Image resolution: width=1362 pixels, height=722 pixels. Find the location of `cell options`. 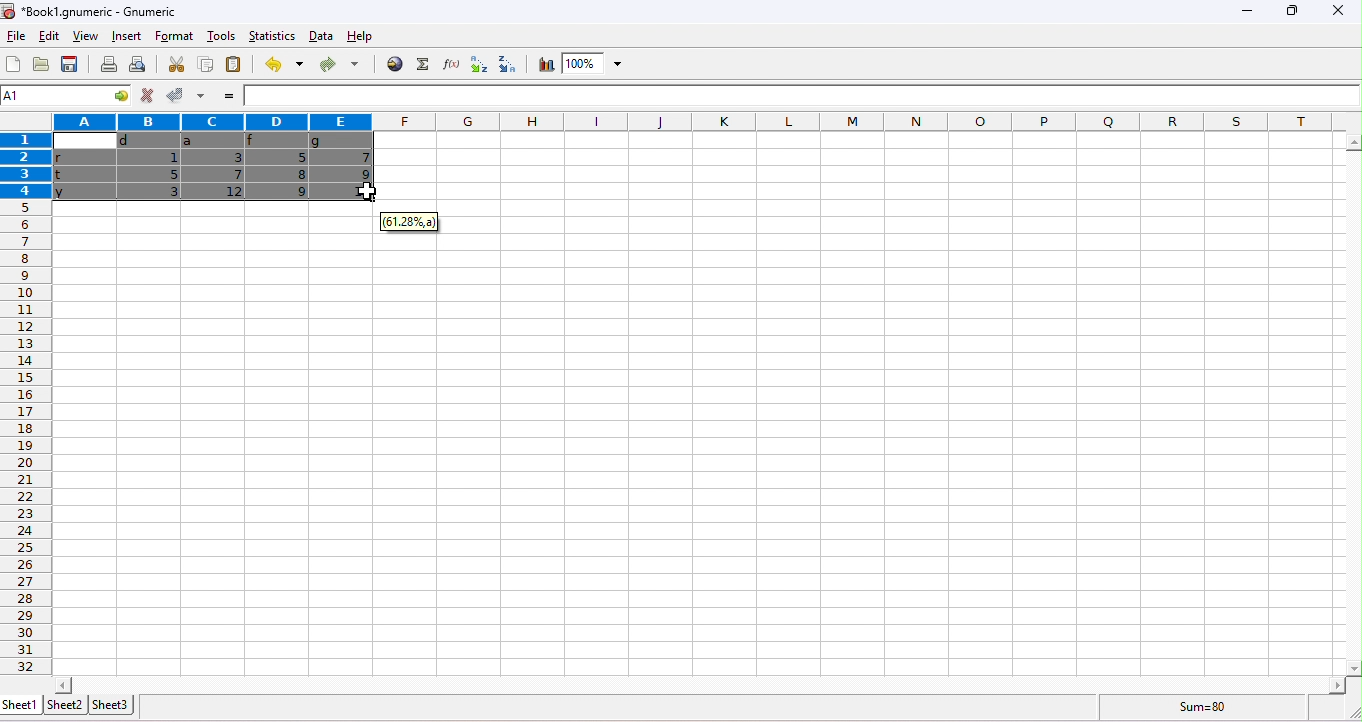

cell options is located at coordinates (117, 96).